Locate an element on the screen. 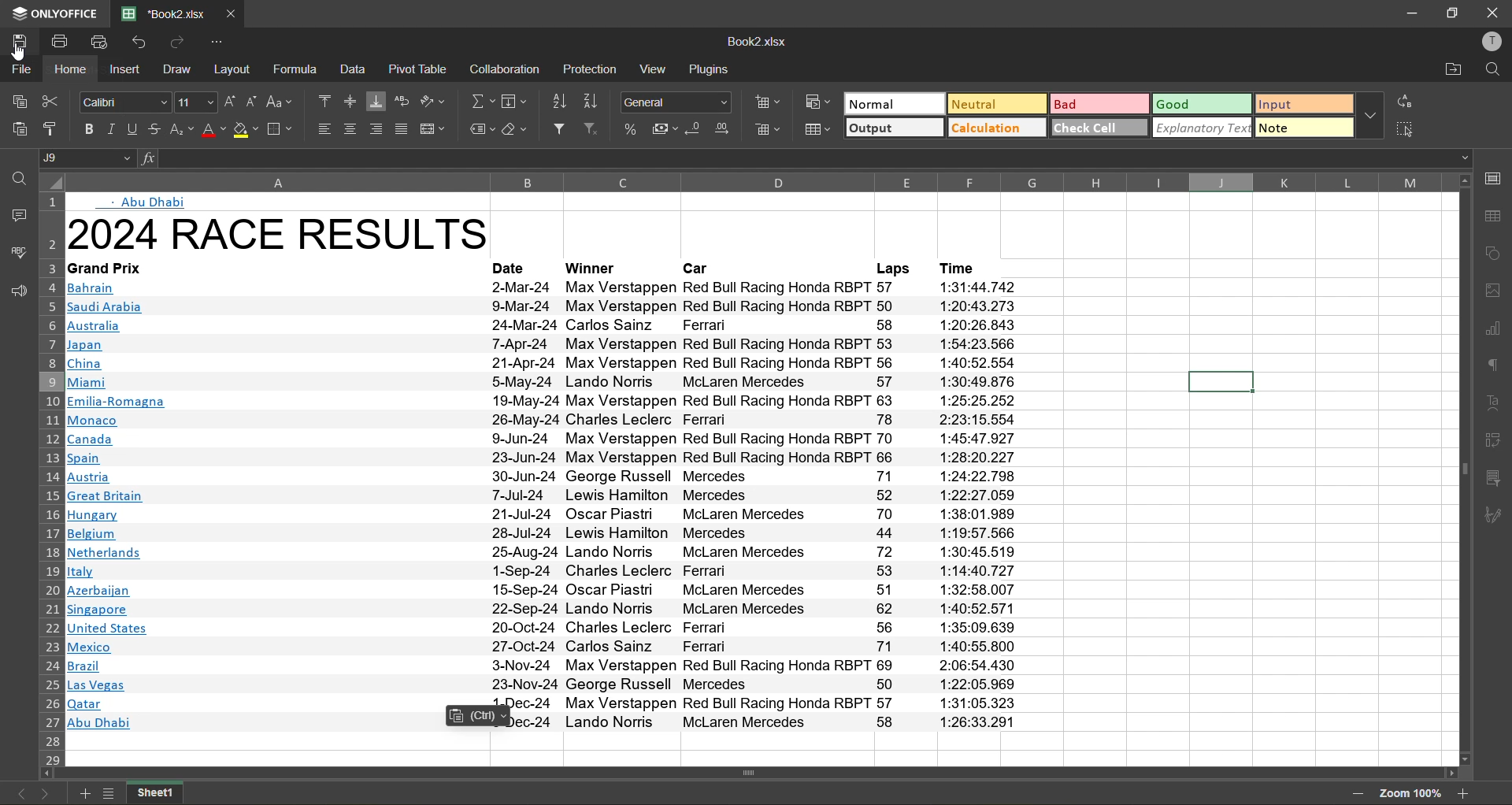 The width and height of the screenshot is (1512, 805). formula bar is located at coordinates (807, 159).